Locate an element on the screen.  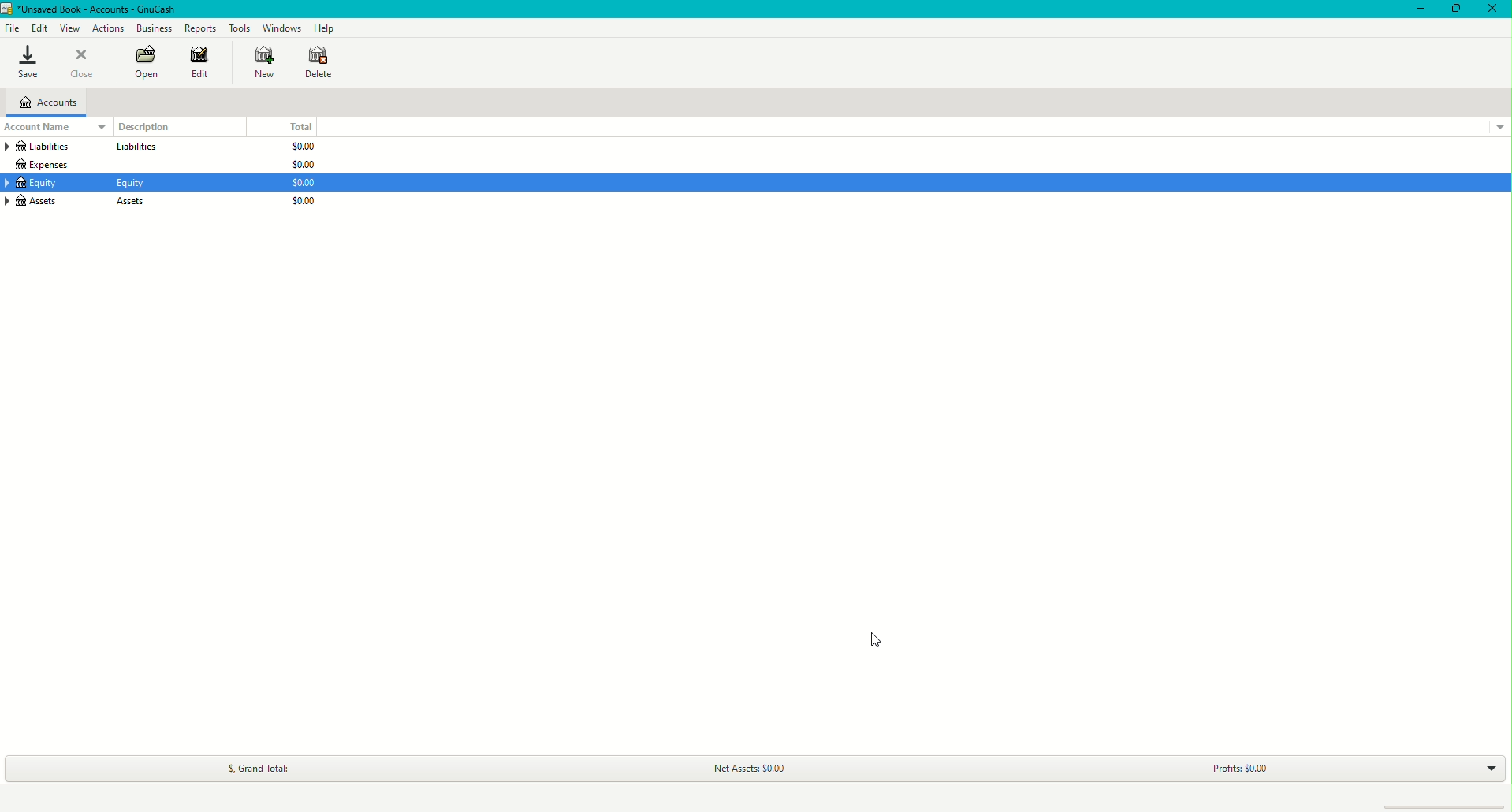
Help is located at coordinates (322, 28).